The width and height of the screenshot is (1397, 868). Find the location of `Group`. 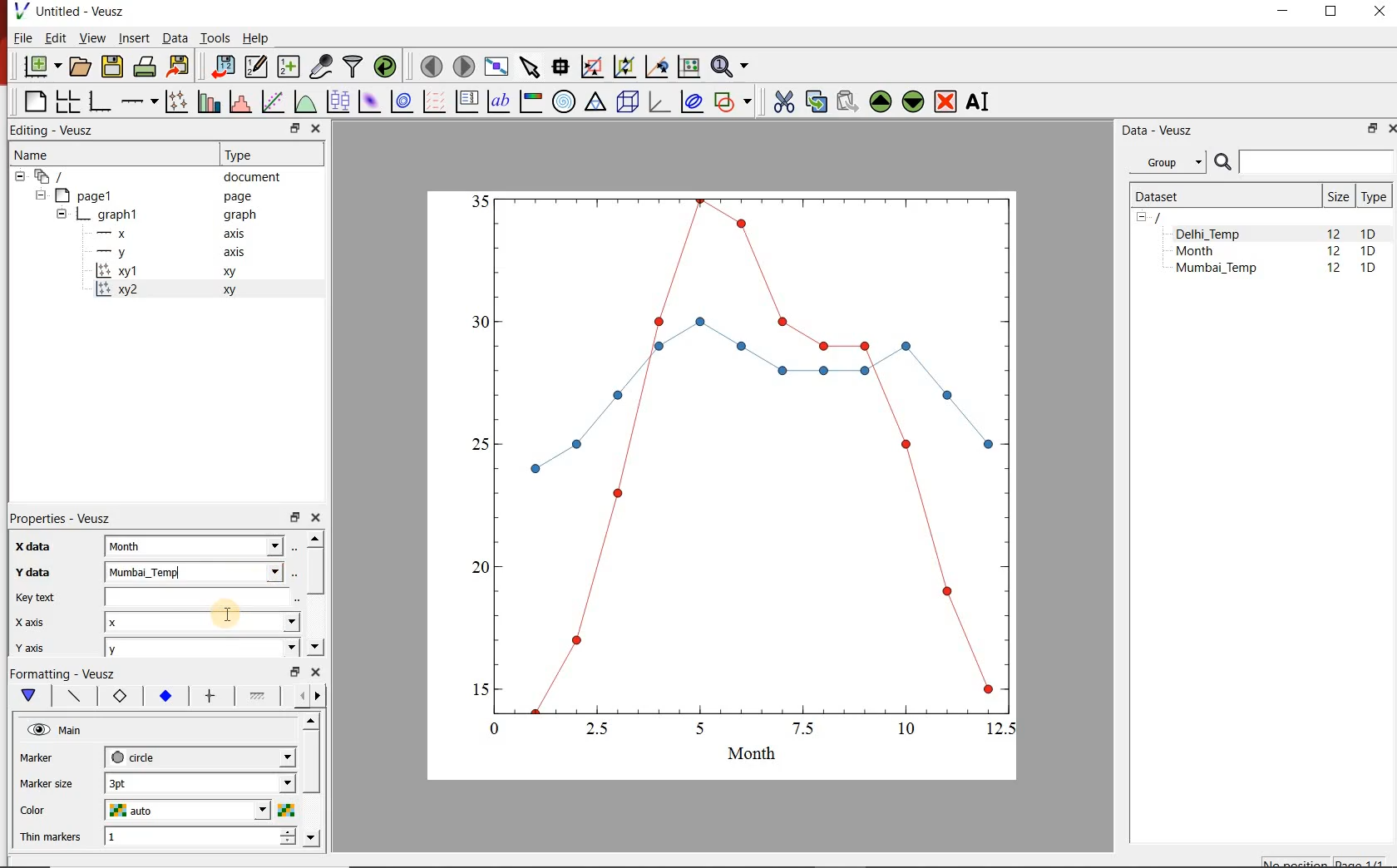

Group is located at coordinates (1167, 160).